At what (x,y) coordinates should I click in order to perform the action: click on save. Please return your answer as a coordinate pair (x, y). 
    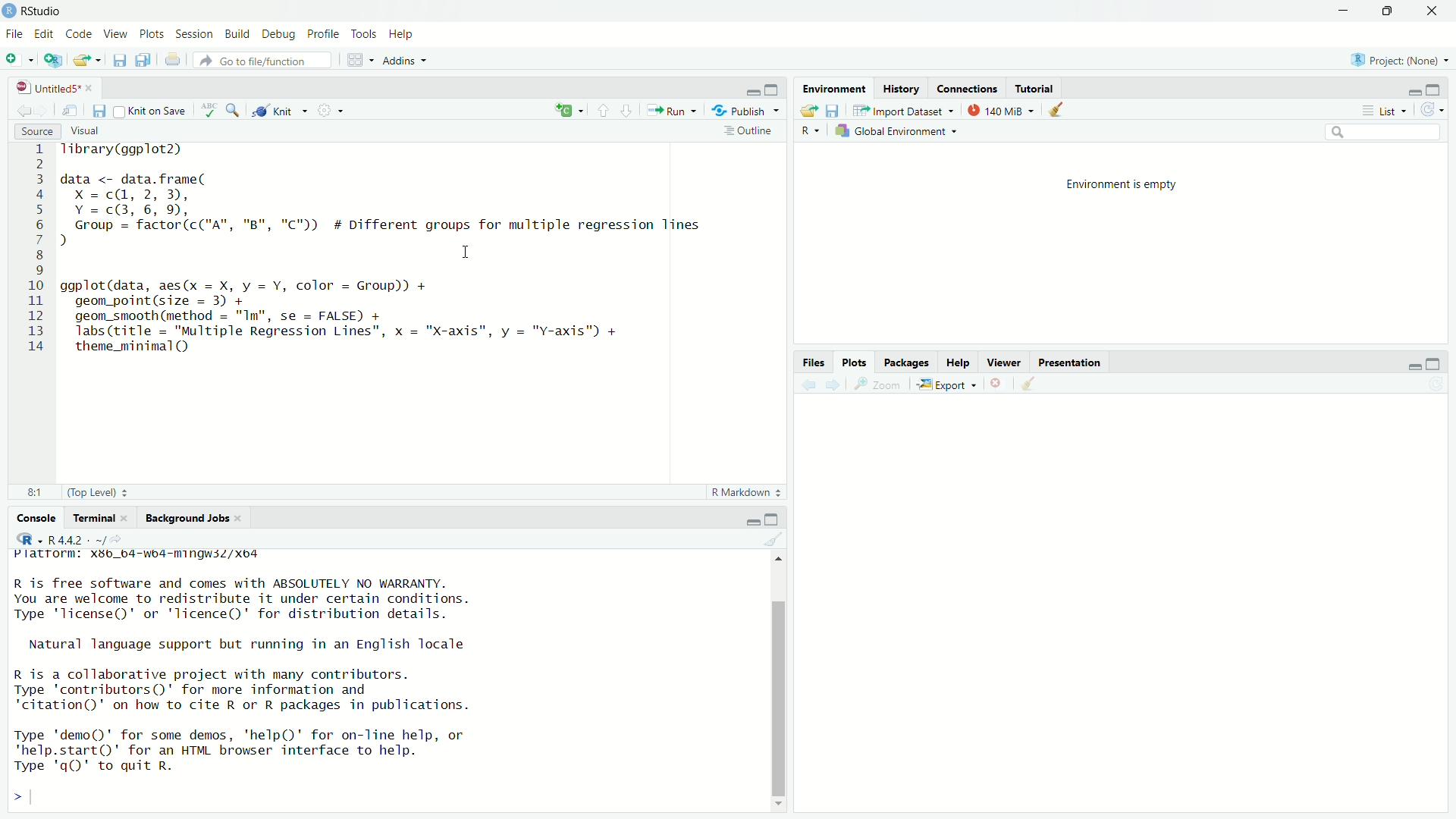
    Looking at the image, I should click on (116, 59).